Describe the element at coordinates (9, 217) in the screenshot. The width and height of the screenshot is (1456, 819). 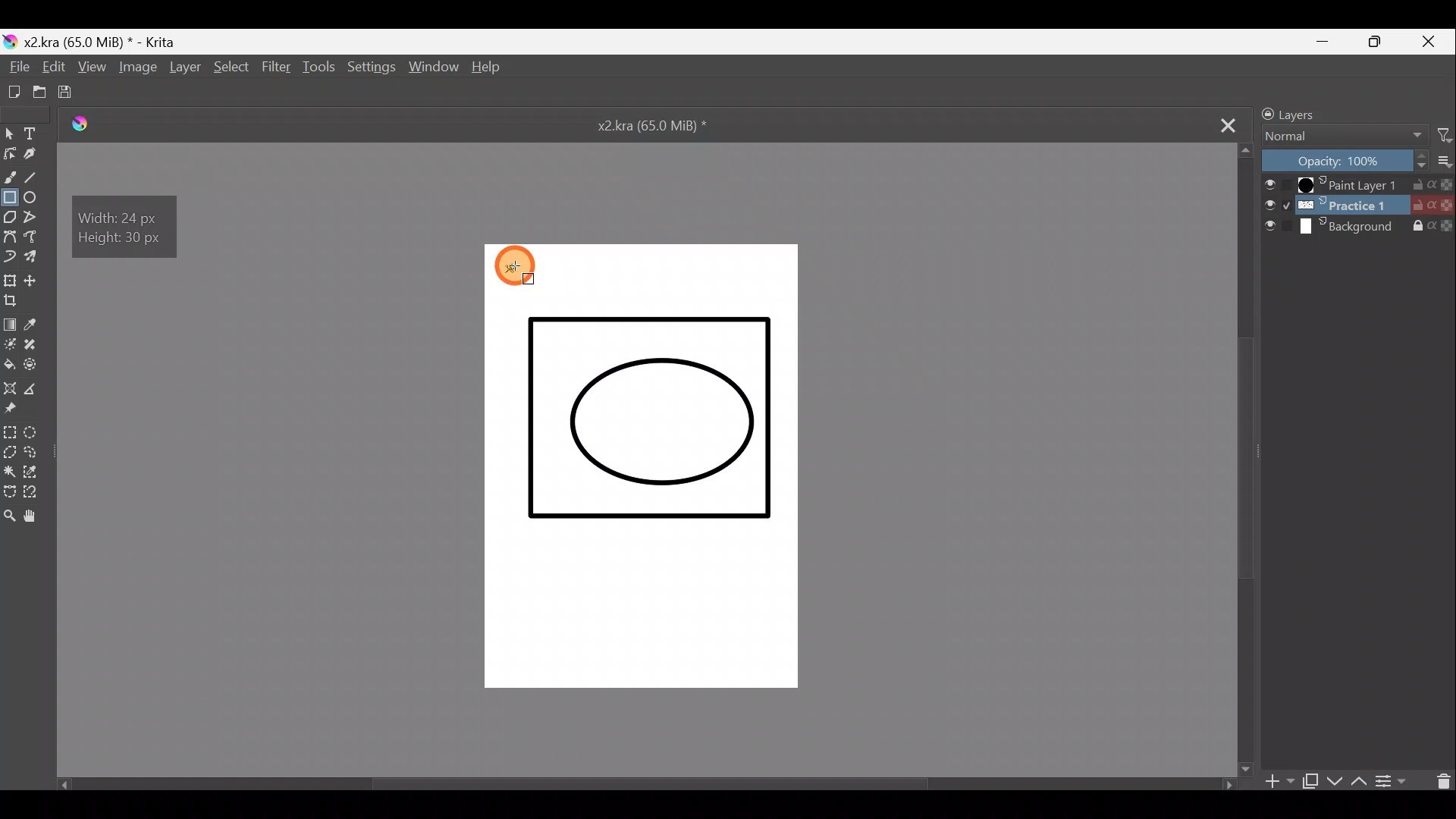
I see `Polygon tool` at that location.